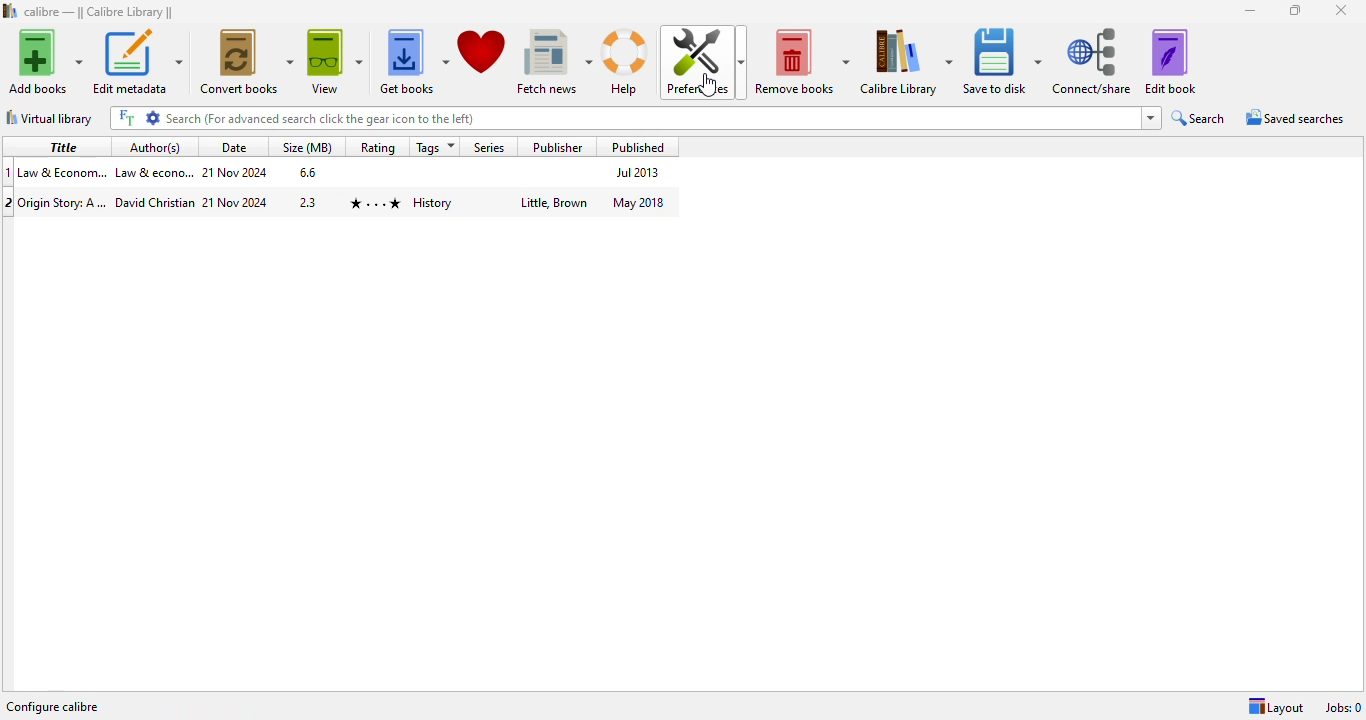  What do you see at coordinates (1001, 61) in the screenshot?
I see `save to disk` at bounding box center [1001, 61].